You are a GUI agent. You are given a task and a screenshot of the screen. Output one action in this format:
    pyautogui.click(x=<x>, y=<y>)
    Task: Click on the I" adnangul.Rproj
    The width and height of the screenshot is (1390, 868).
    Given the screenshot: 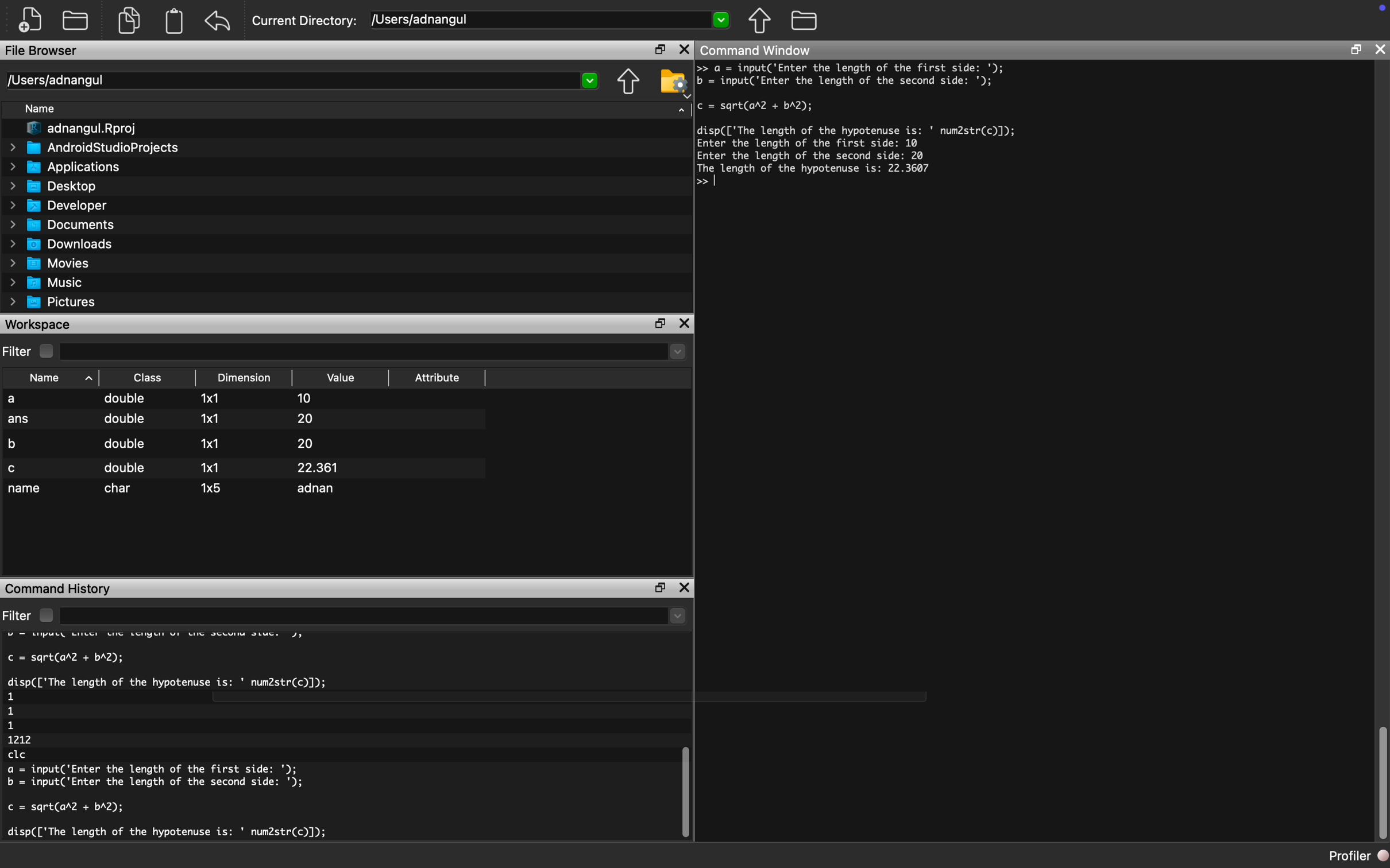 What is the action you would take?
    pyautogui.click(x=89, y=129)
    